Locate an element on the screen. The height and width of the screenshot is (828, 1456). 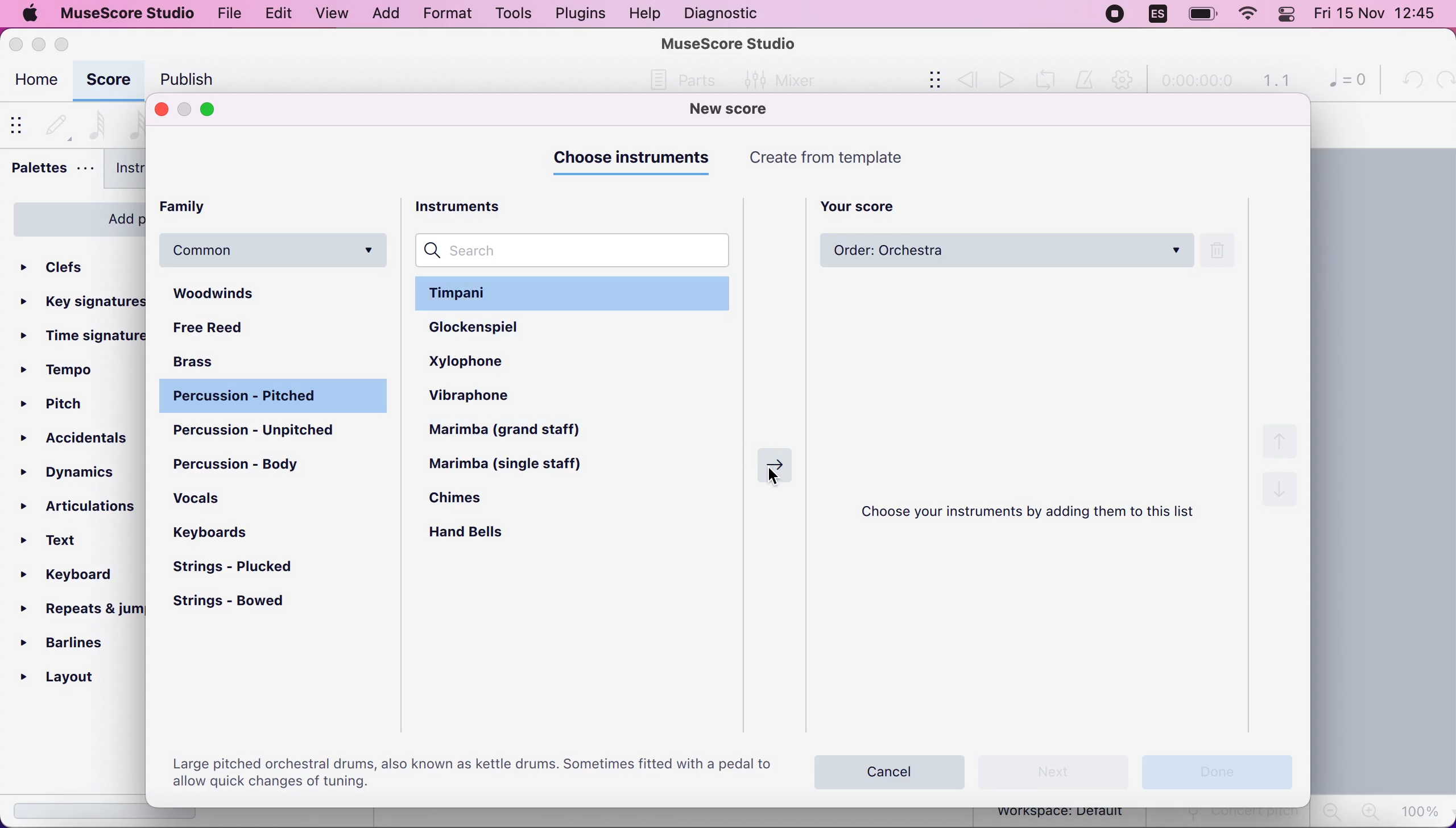
redo is located at coordinates (1442, 80).